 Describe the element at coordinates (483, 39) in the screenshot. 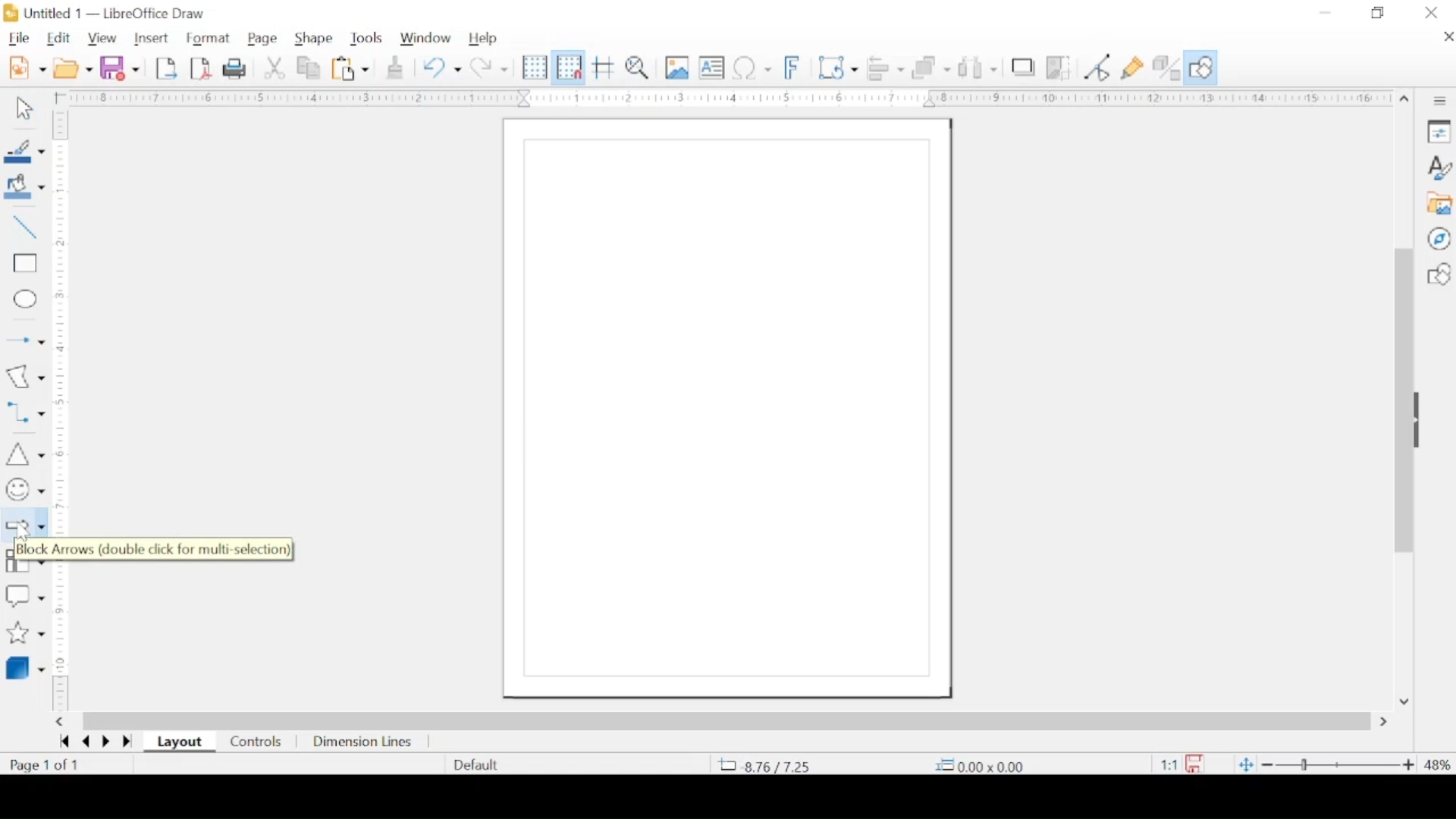

I see `help` at that location.